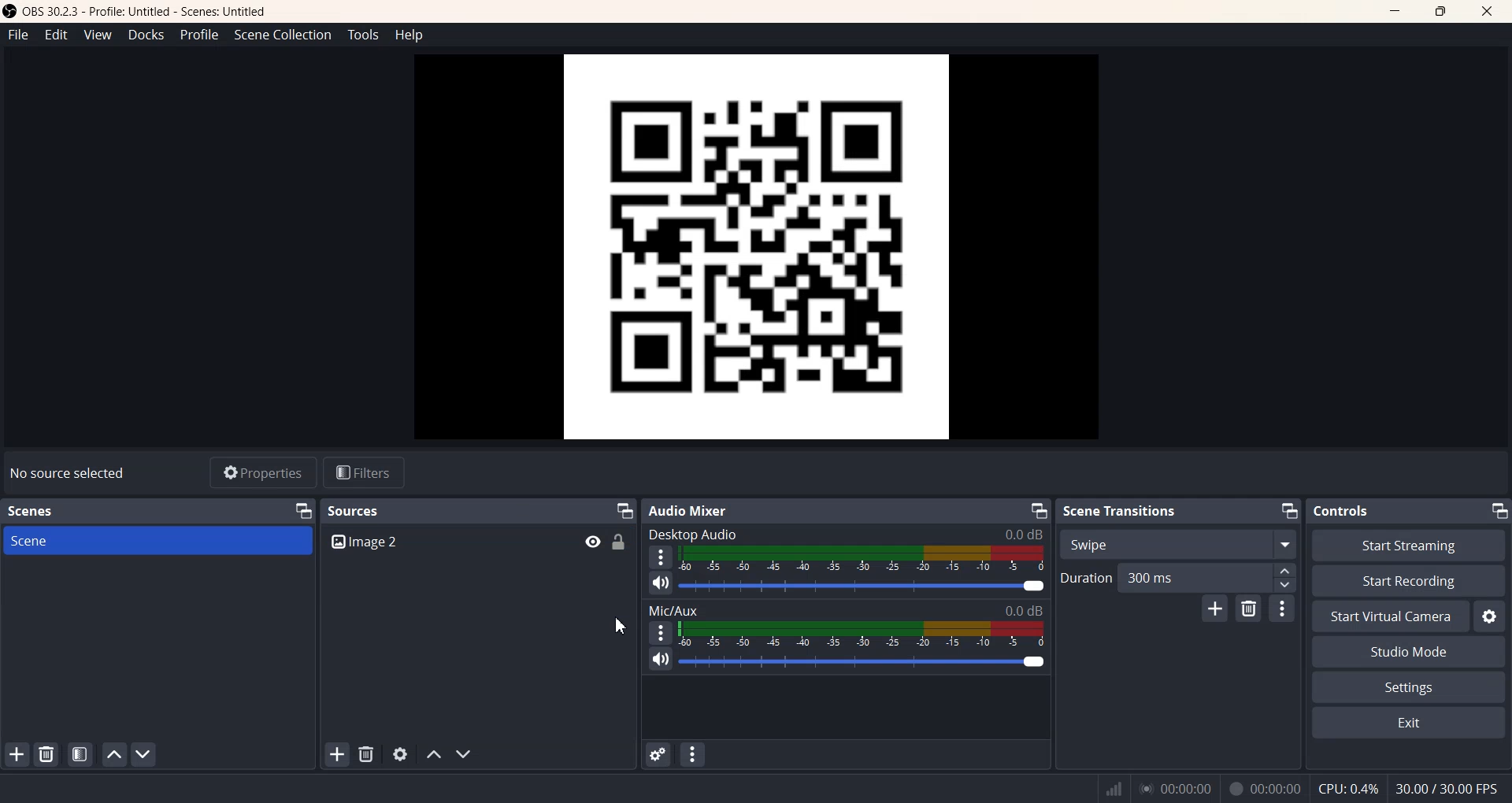 The width and height of the screenshot is (1512, 803). What do you see at coordinates (70, 474) in the screenshot?
I see `No Source selected` at bounding box center [70, 474].